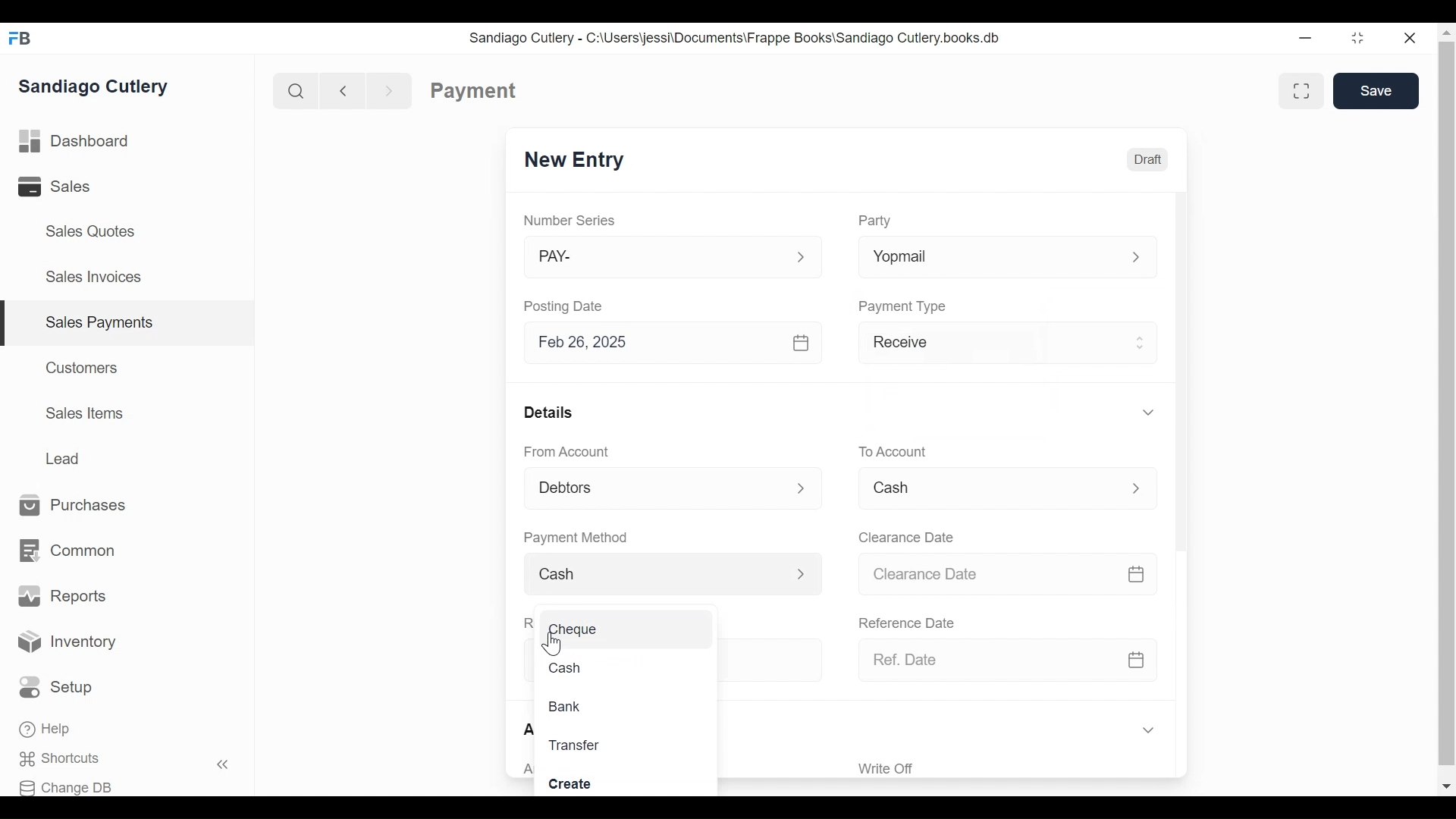 Image resolution: width=1456 pixels, height=819 pixels. What do you see at coordinates (1137, 575) in the screenshot?
I see `Calendar` at bounding box center [1137, 575].